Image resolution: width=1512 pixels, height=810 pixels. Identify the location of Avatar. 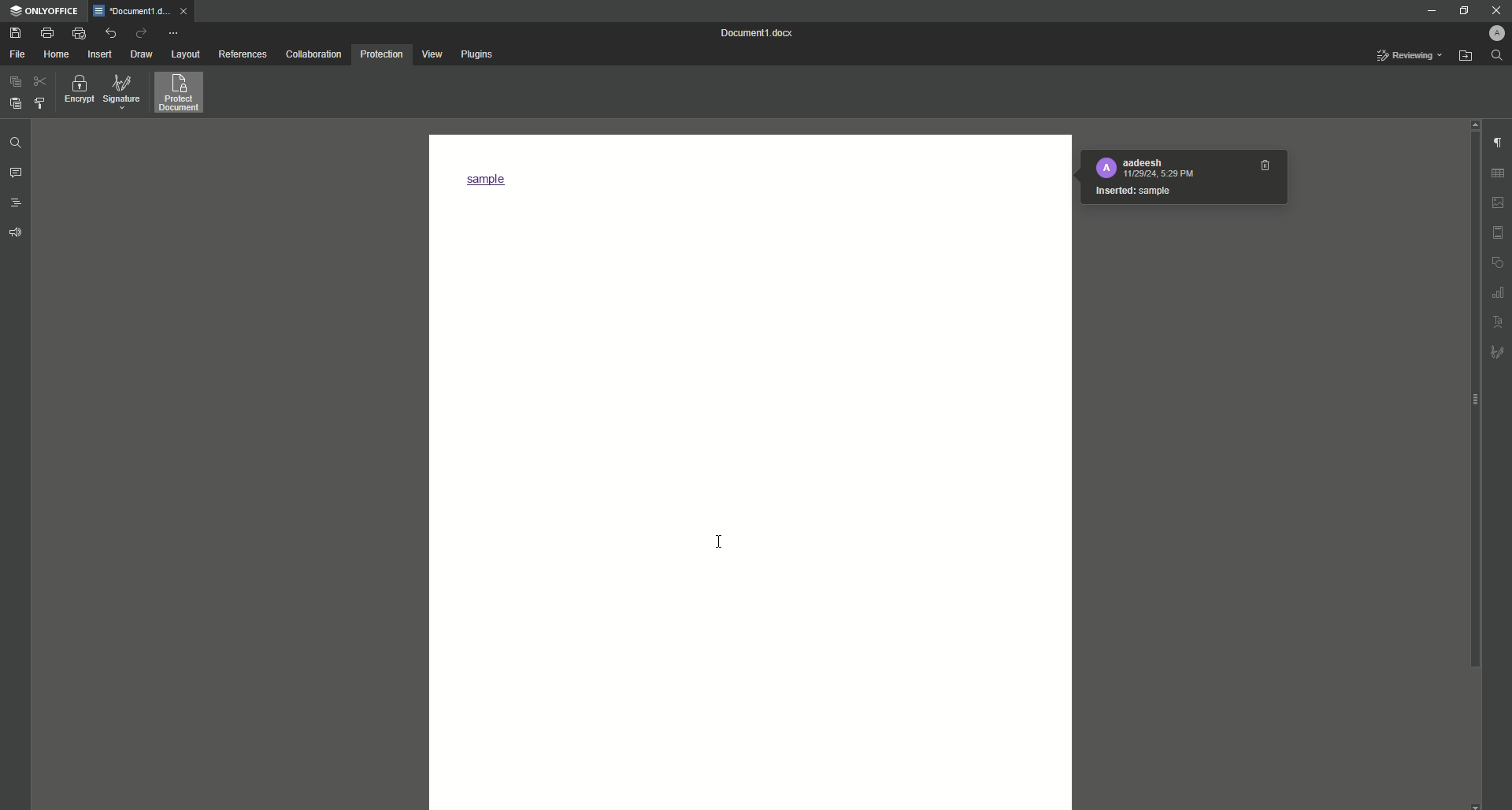
(1106, 167).